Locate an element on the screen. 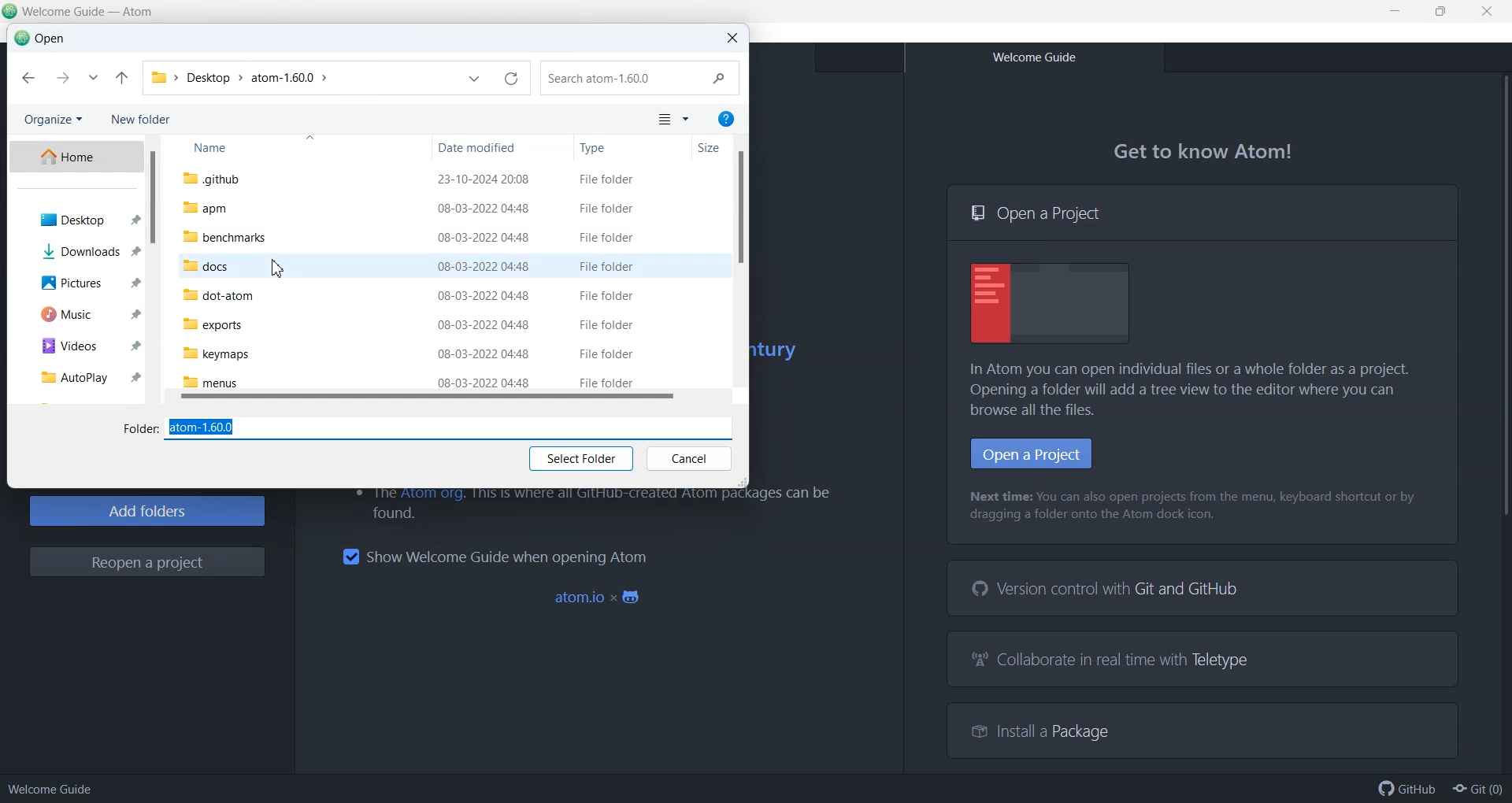  Home is located at coordinates (75, 157).